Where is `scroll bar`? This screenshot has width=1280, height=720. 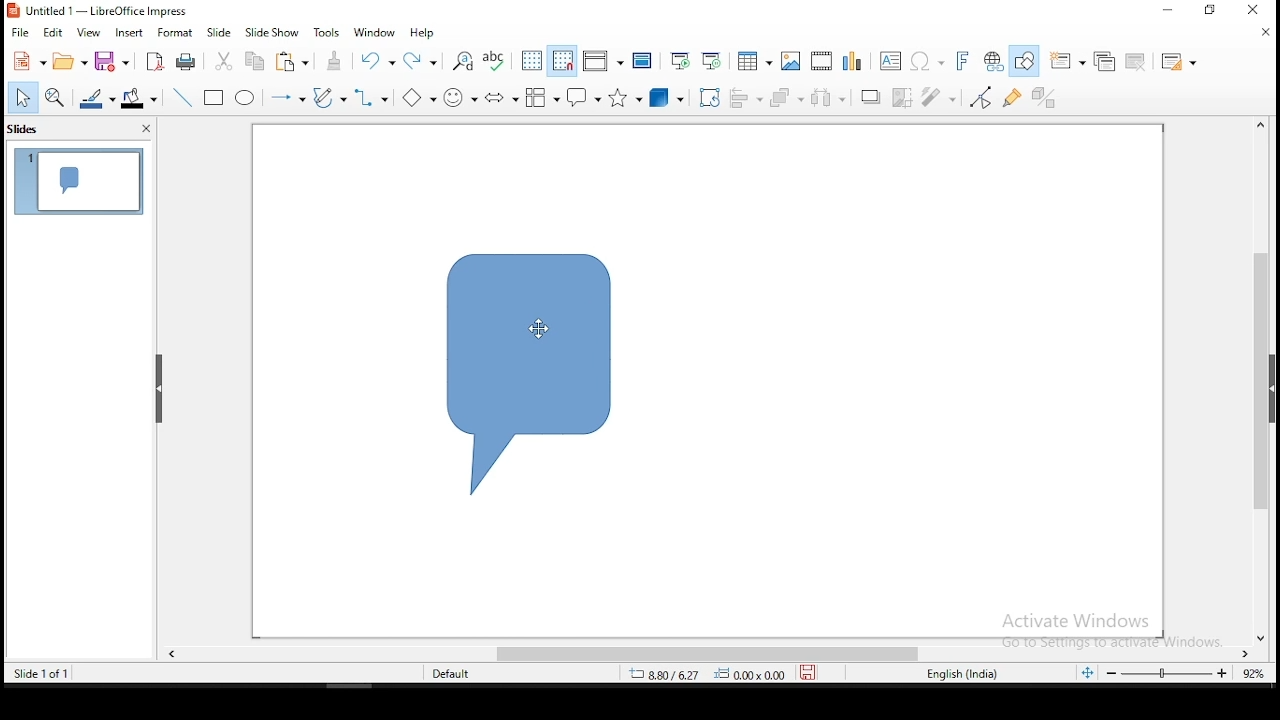 scroll bar is located at coordinates (719, 655).